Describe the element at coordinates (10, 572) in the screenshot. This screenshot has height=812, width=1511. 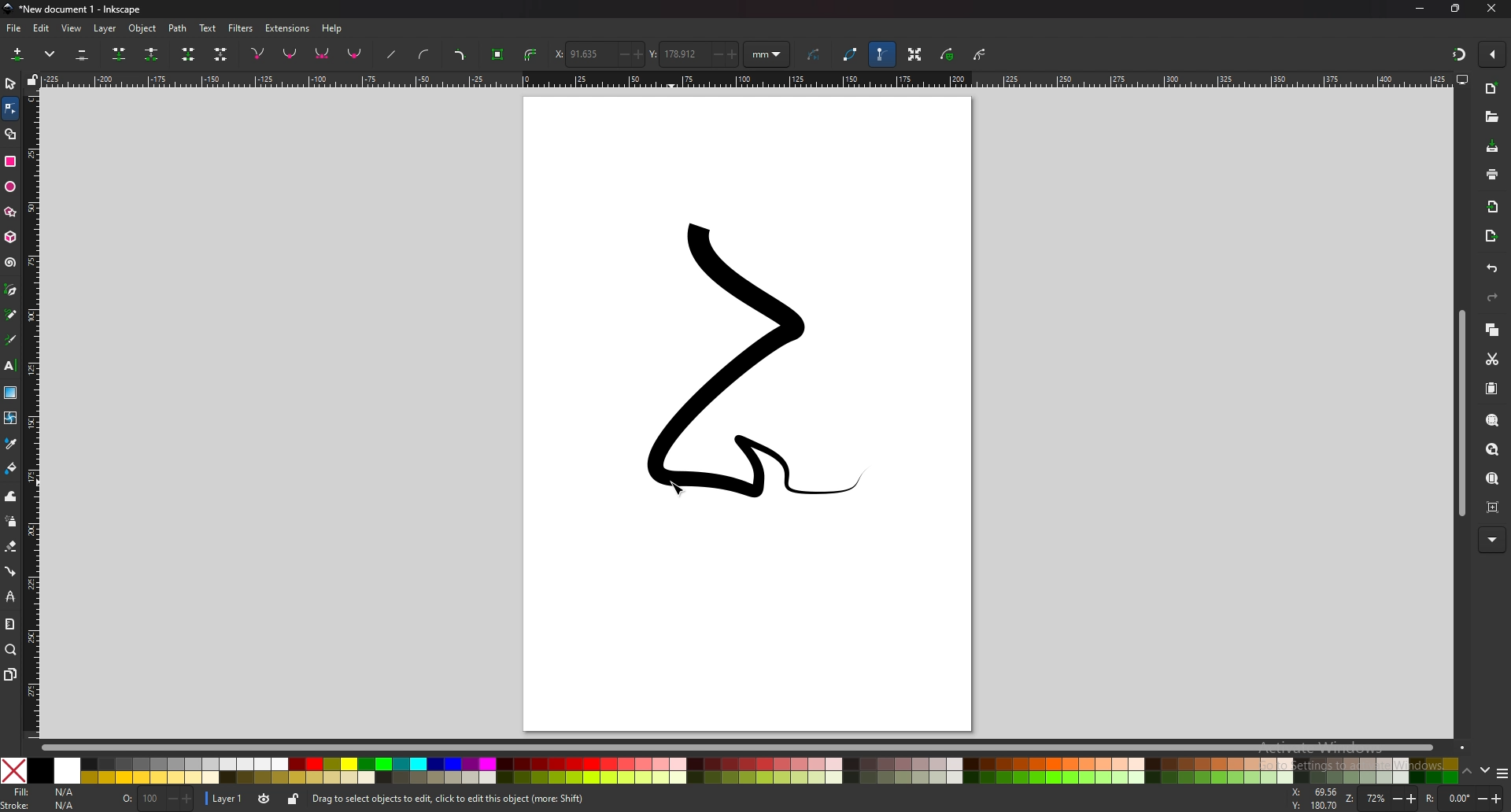
I see `connector` at that location.